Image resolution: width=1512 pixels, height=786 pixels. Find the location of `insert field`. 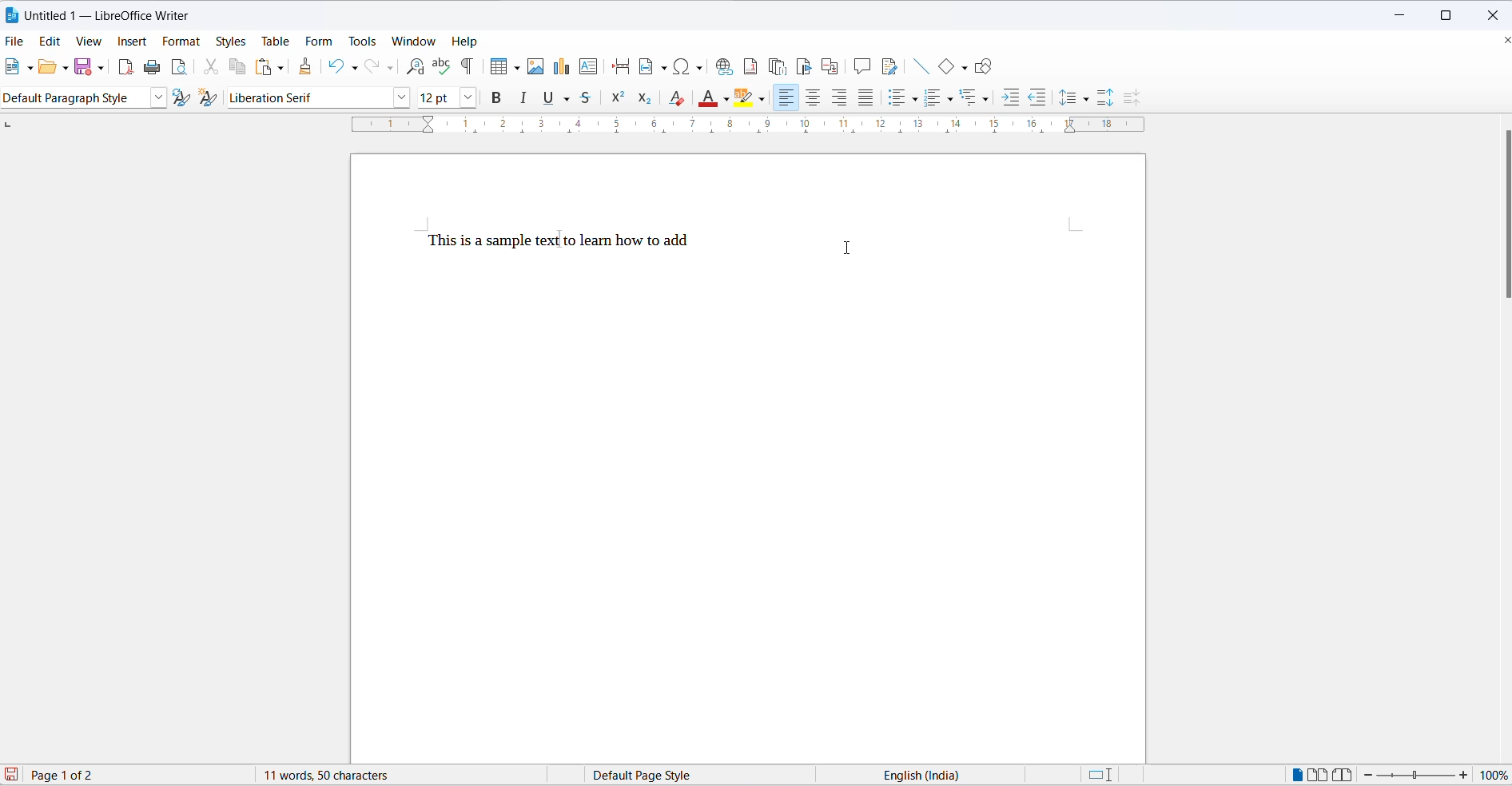

insert field is located at coordinates (654, 65).